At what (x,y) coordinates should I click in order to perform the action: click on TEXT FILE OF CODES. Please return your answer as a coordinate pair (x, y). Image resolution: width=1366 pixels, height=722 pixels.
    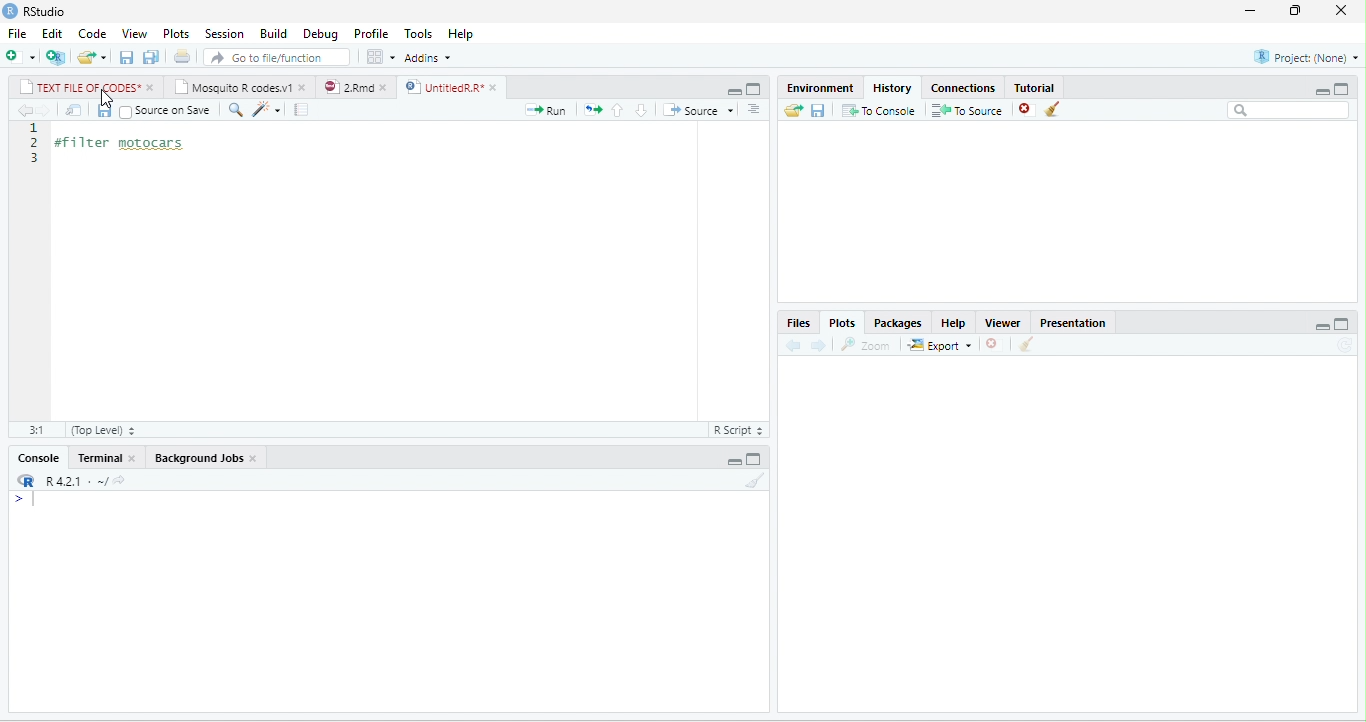
    Looking at the image, I should click on (80, 86).